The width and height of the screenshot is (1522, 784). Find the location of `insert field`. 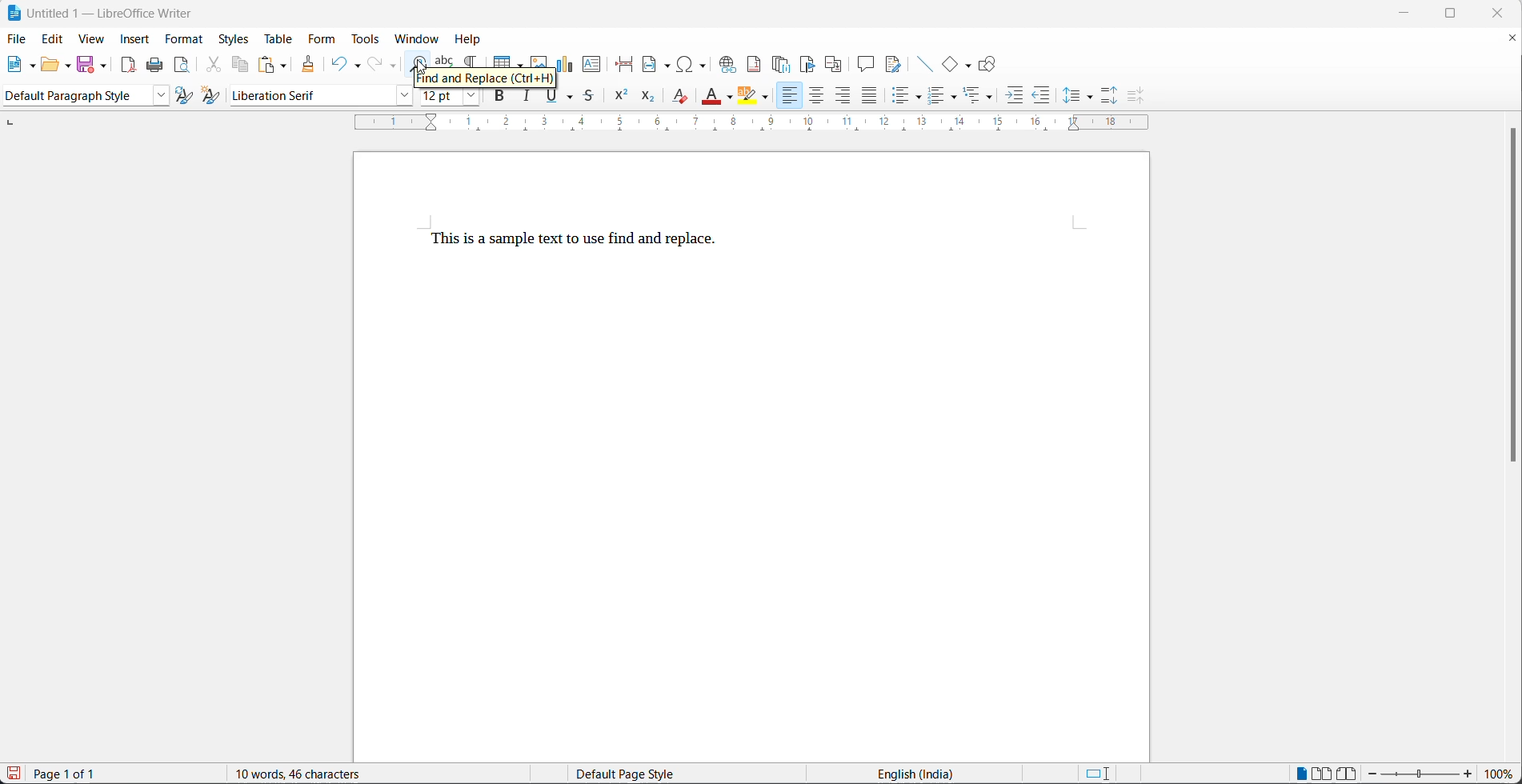

insert field is located at coordinates (658, 65).